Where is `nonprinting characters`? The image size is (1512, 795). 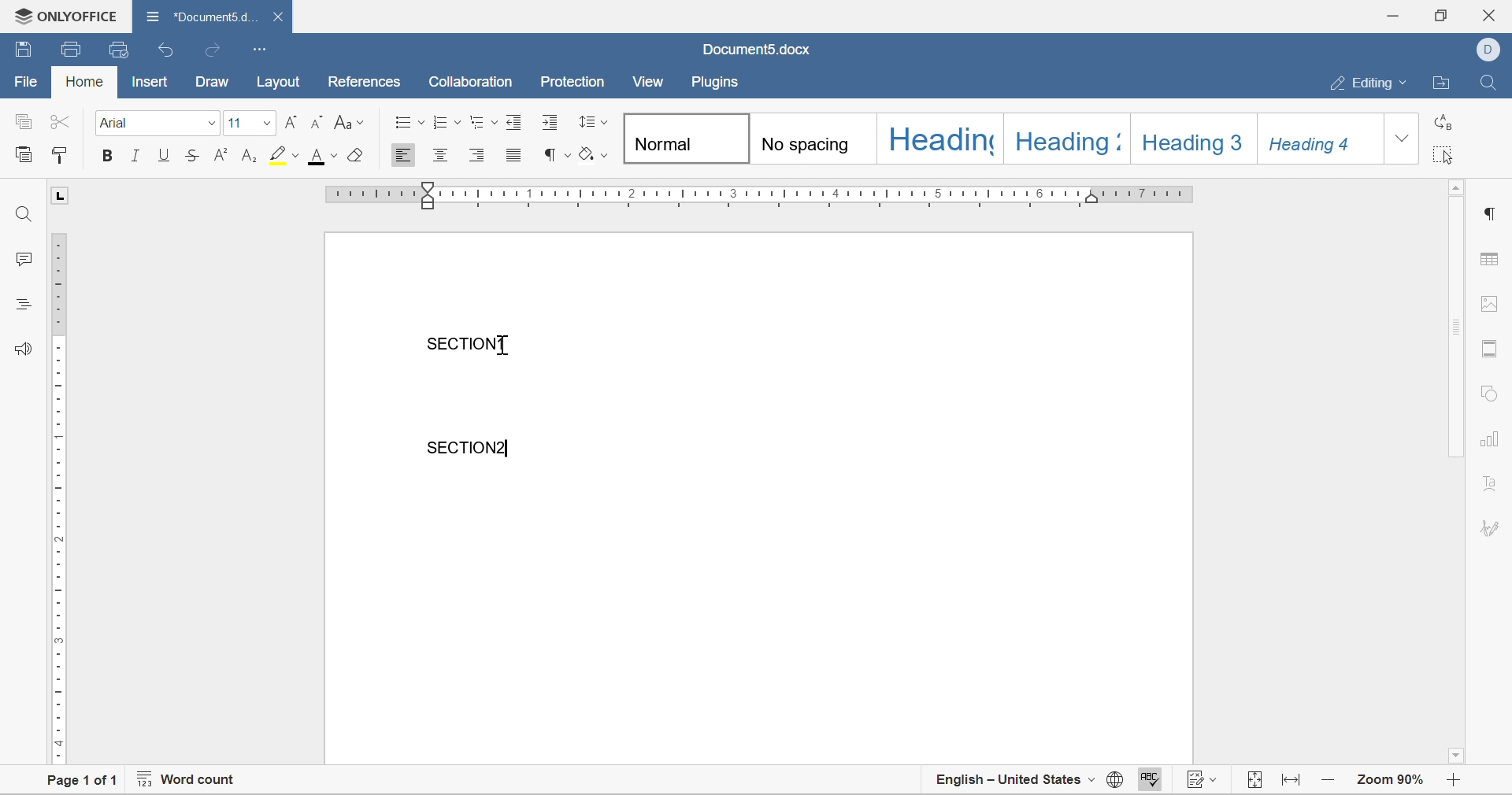
nonprinting characters is located at coordinates (558, 155).